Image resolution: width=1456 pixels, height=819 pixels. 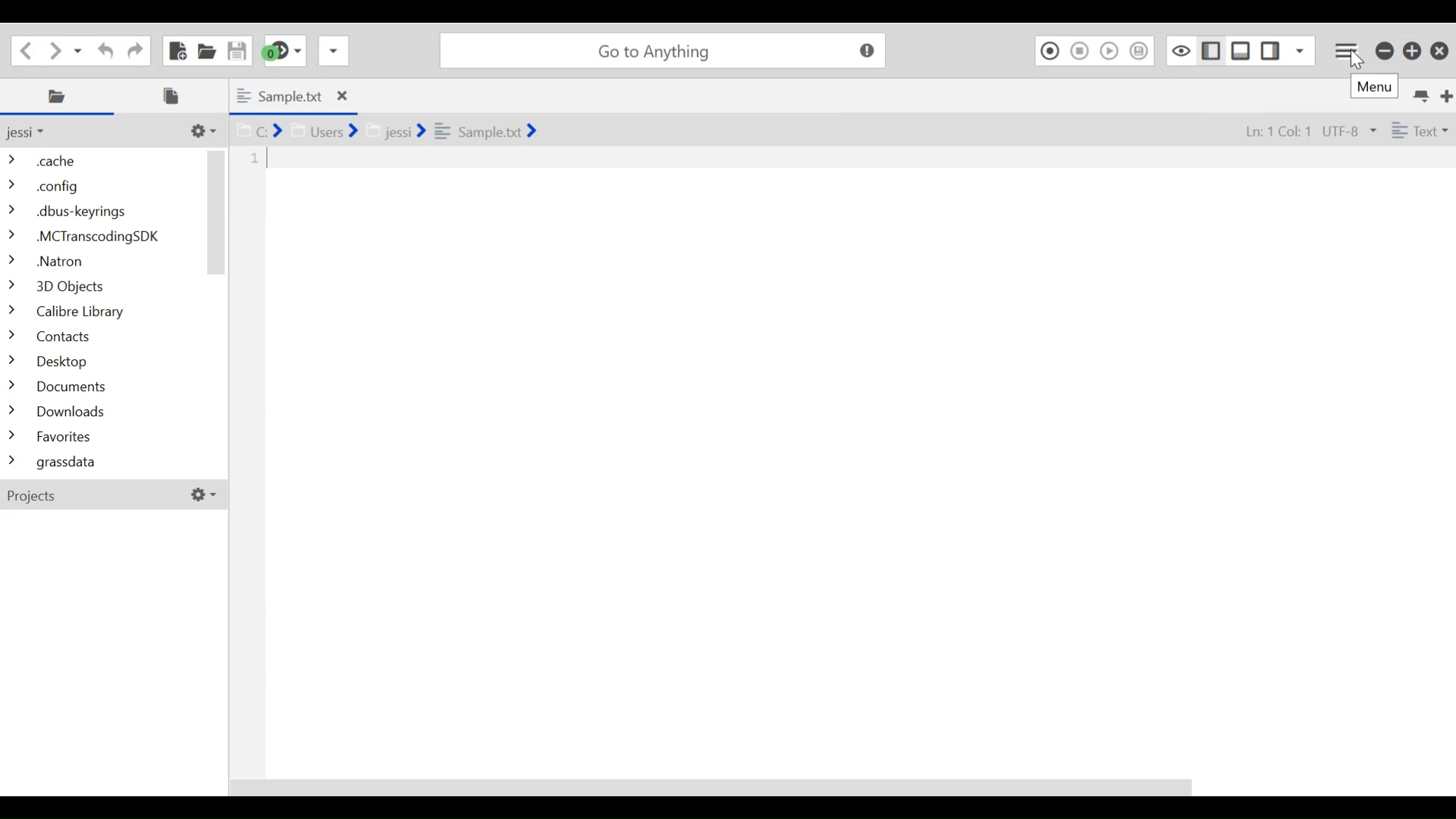 What do you see at coordinates (217, 212) in the screenshot?
I see `Vertical Scroll bar` at bounding box center [217, 212].